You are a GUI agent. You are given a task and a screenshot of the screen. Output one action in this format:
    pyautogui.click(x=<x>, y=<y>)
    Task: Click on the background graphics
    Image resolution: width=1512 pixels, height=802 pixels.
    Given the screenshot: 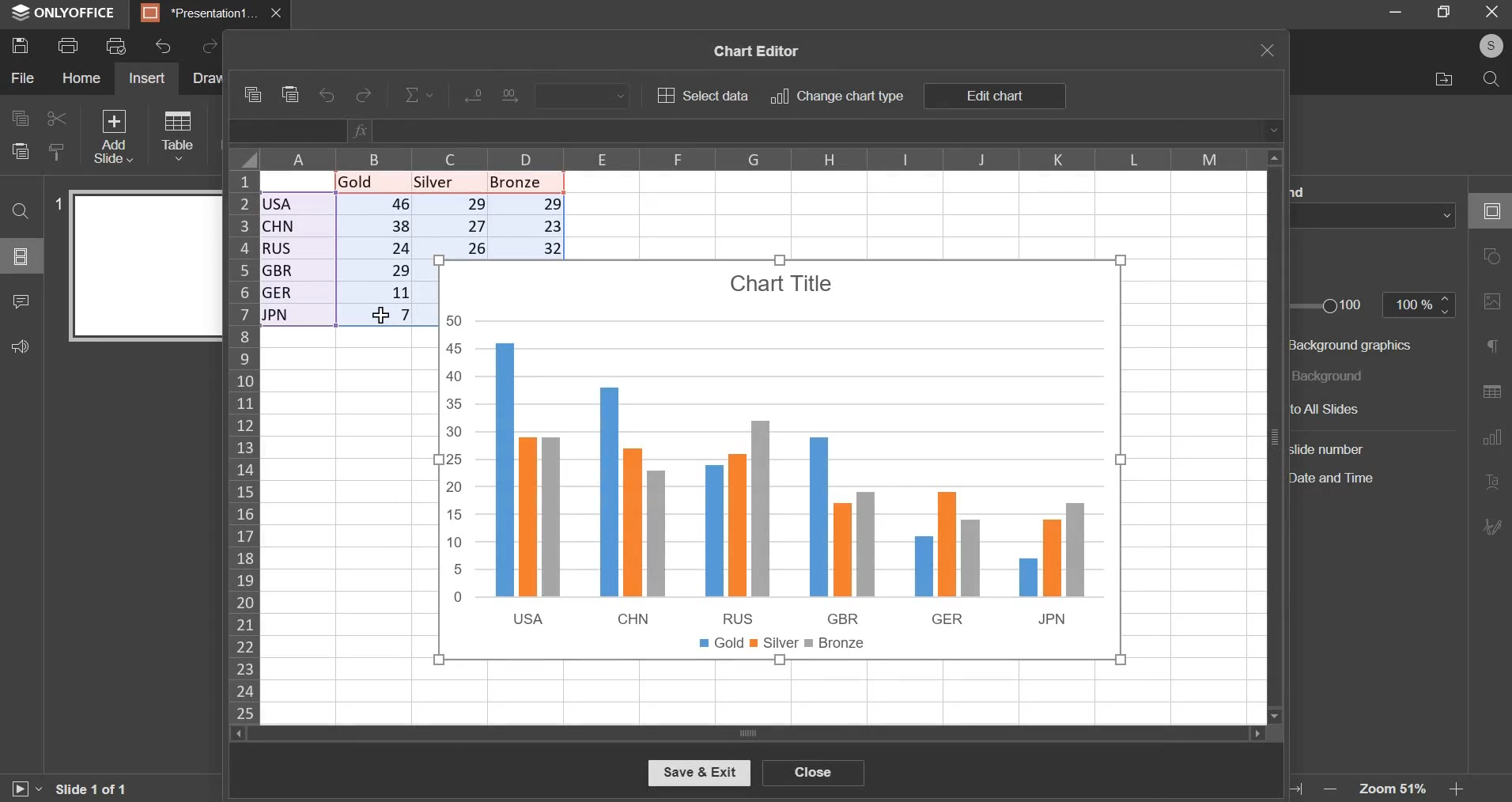 What is the action you would take?
    pyautogui.click(x=1355, y=344)
    